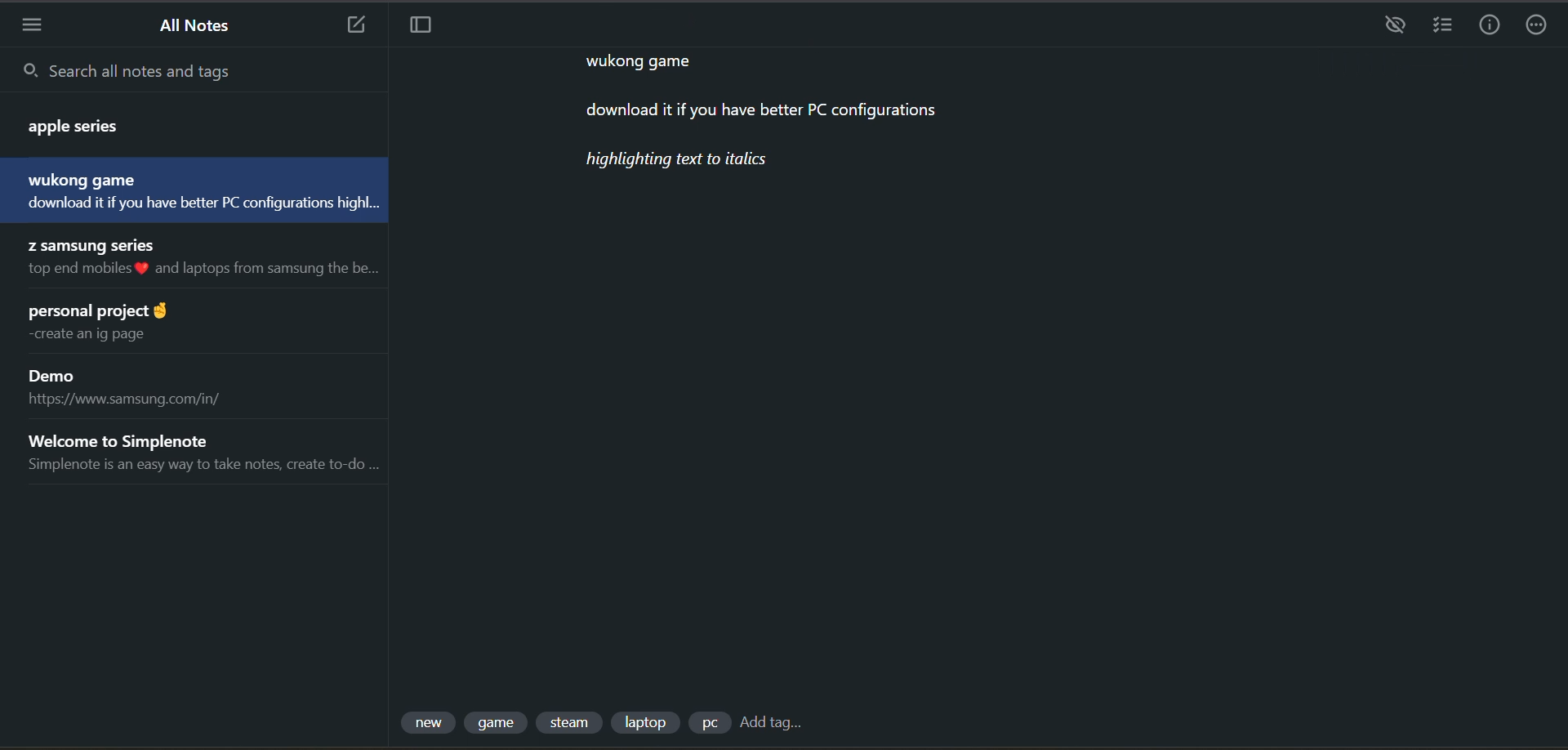 This screenshot has width=1568, height=750. What do you see at coordinates (201, 28) in the screenshot?
I see `all notes` at bounding box center [201, 28].